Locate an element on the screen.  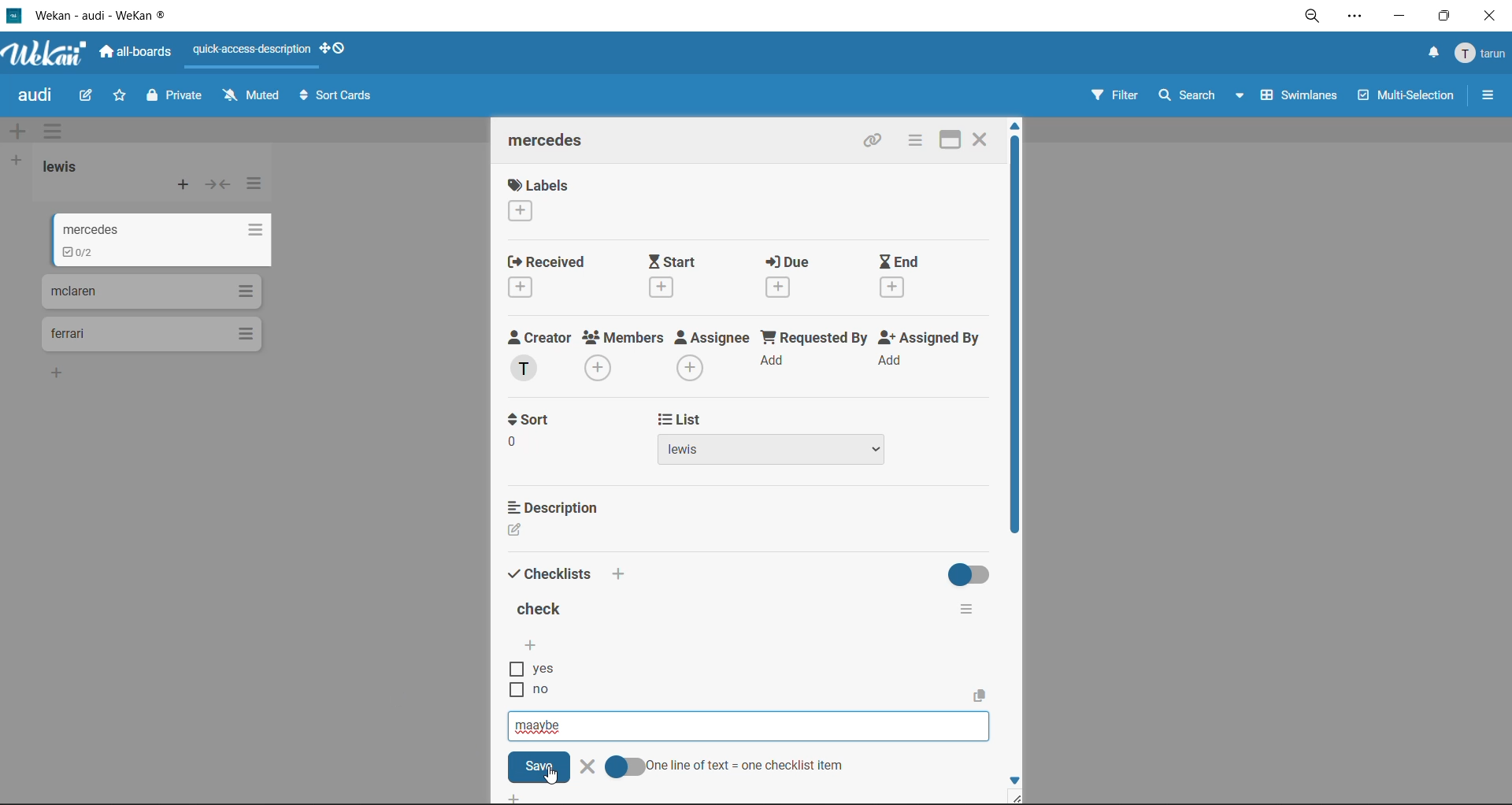
filter is located at coordinates (1120, 97).